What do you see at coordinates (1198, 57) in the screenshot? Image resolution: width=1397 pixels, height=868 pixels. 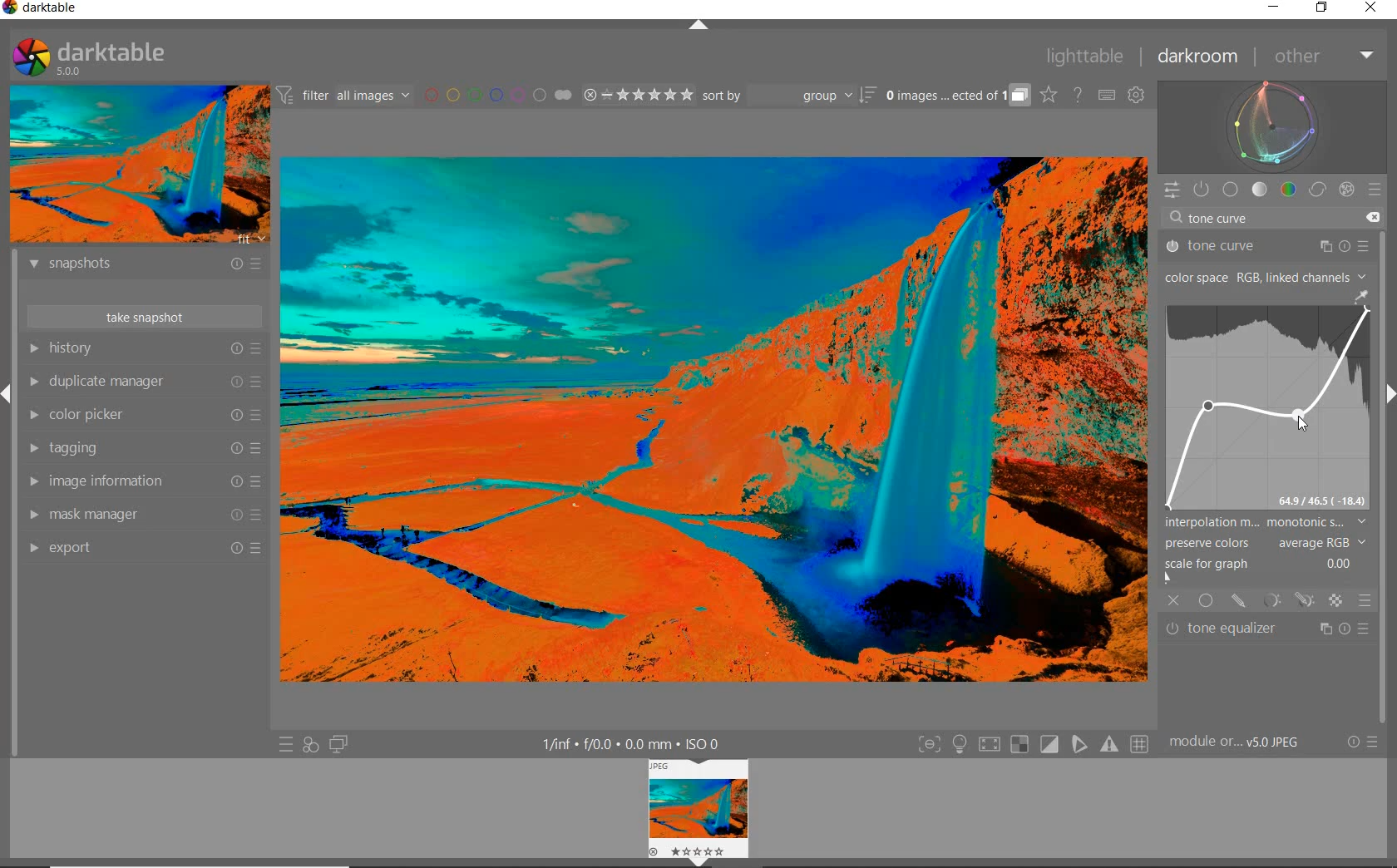 I see `darkroom` at bounding box center [1198, 57].